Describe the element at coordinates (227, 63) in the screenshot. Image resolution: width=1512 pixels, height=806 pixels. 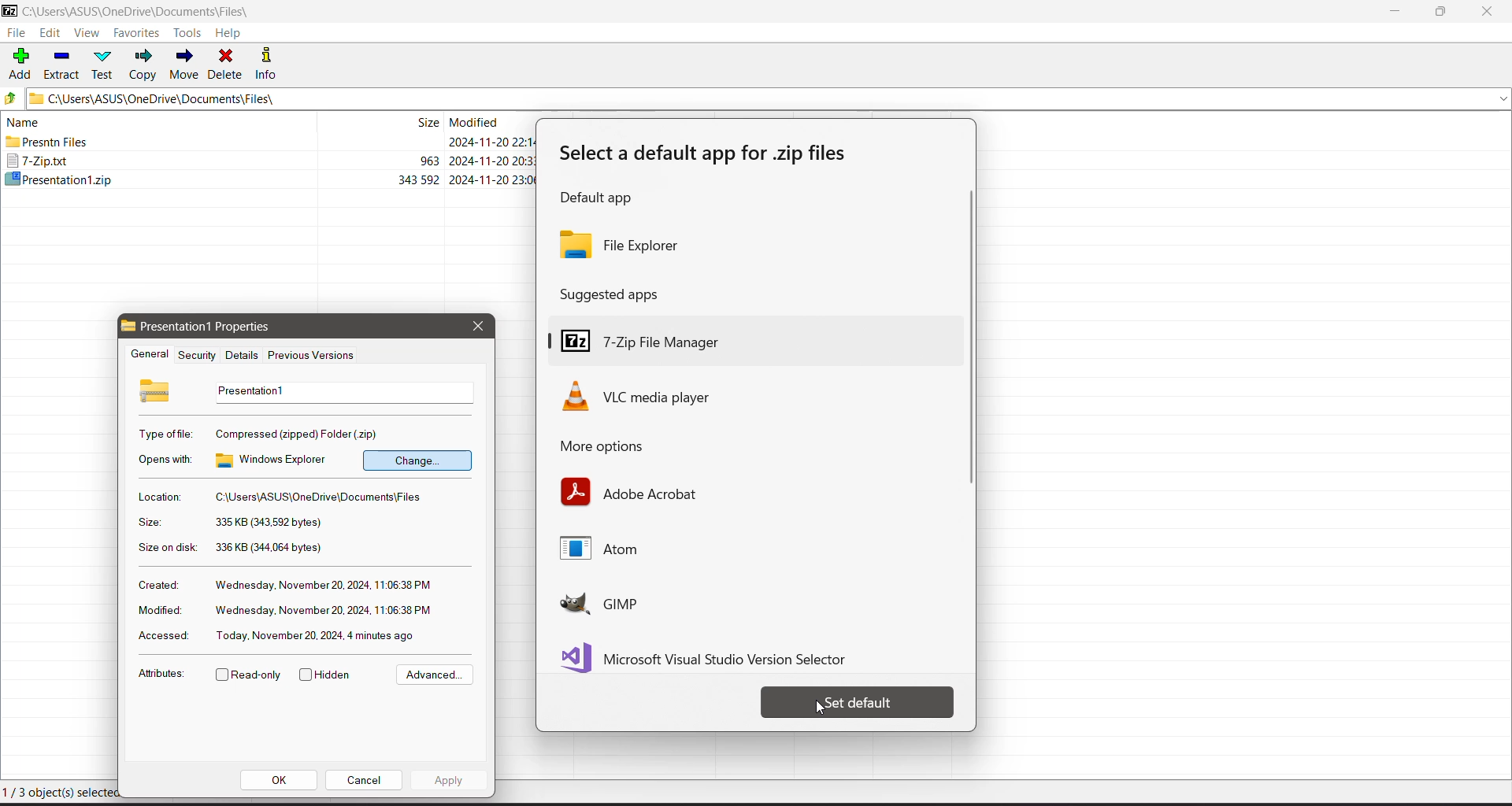
I see `Delete` at that location.